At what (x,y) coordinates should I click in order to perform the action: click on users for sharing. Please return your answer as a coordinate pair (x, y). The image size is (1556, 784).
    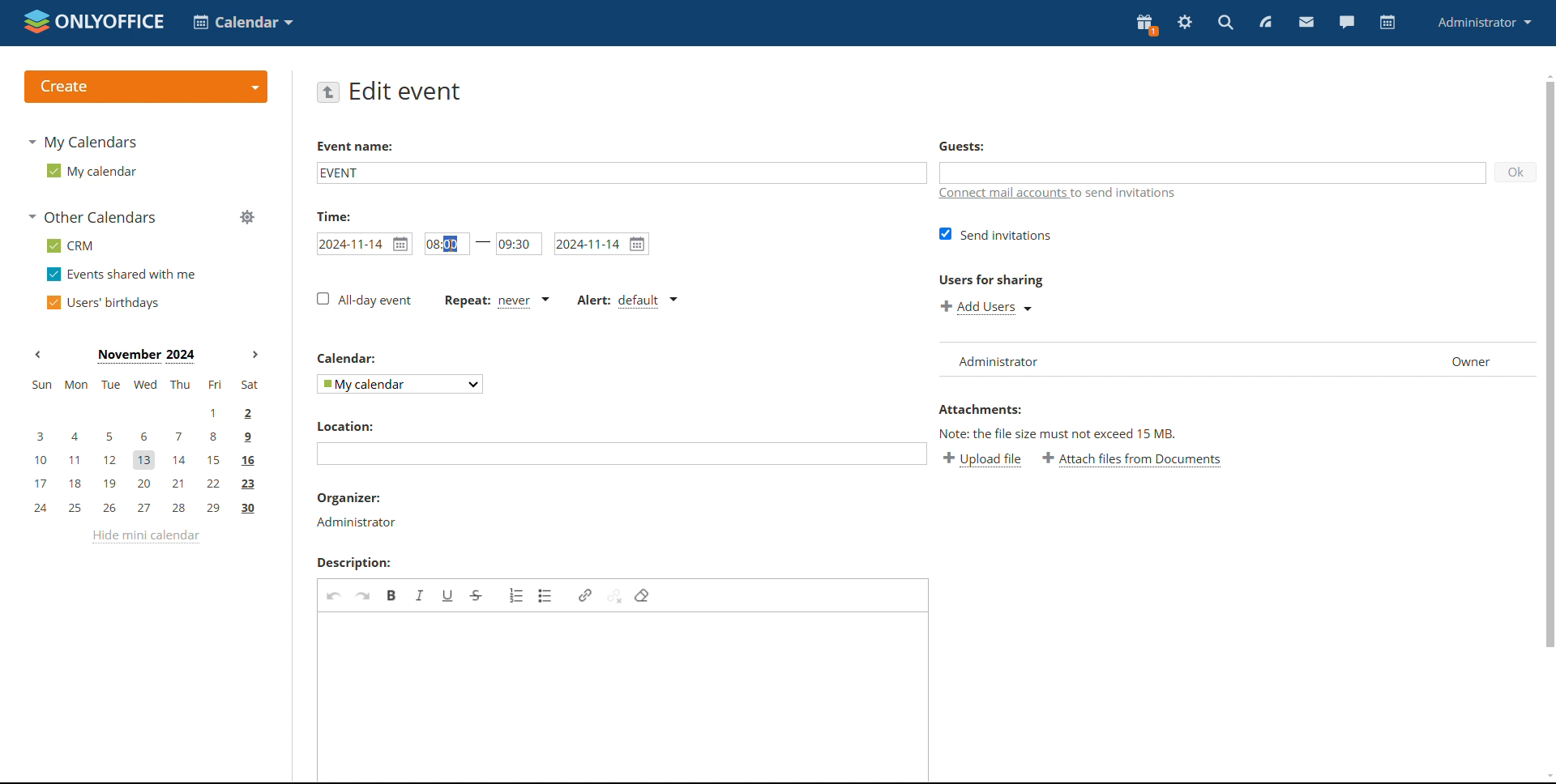
    Looking at the image, I should click on (990, 282).